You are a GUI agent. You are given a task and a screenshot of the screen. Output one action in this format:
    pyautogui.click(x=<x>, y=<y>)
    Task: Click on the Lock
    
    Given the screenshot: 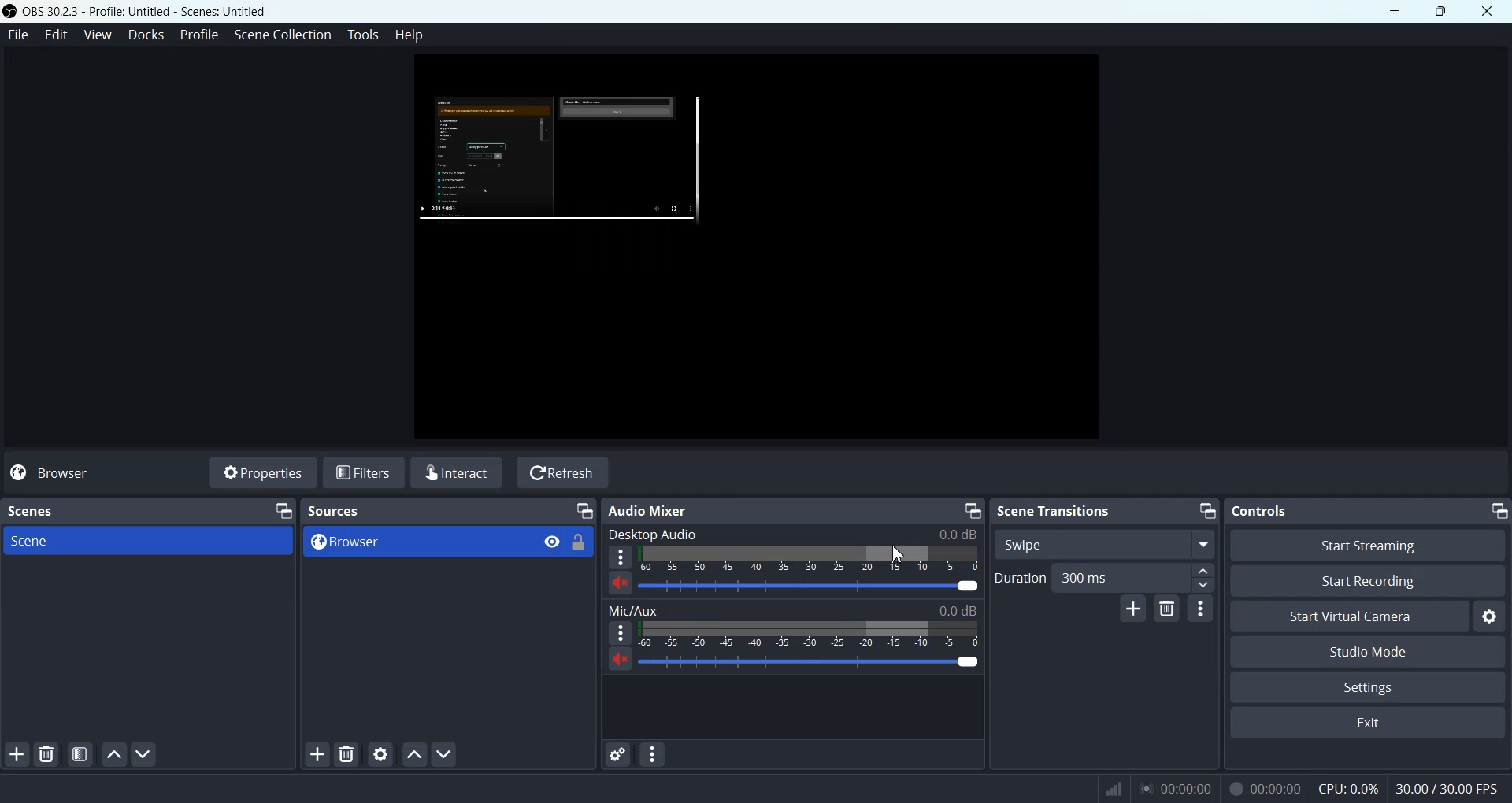 What is the action you would take?
    pyautogui.click(x=579, y=542)
    